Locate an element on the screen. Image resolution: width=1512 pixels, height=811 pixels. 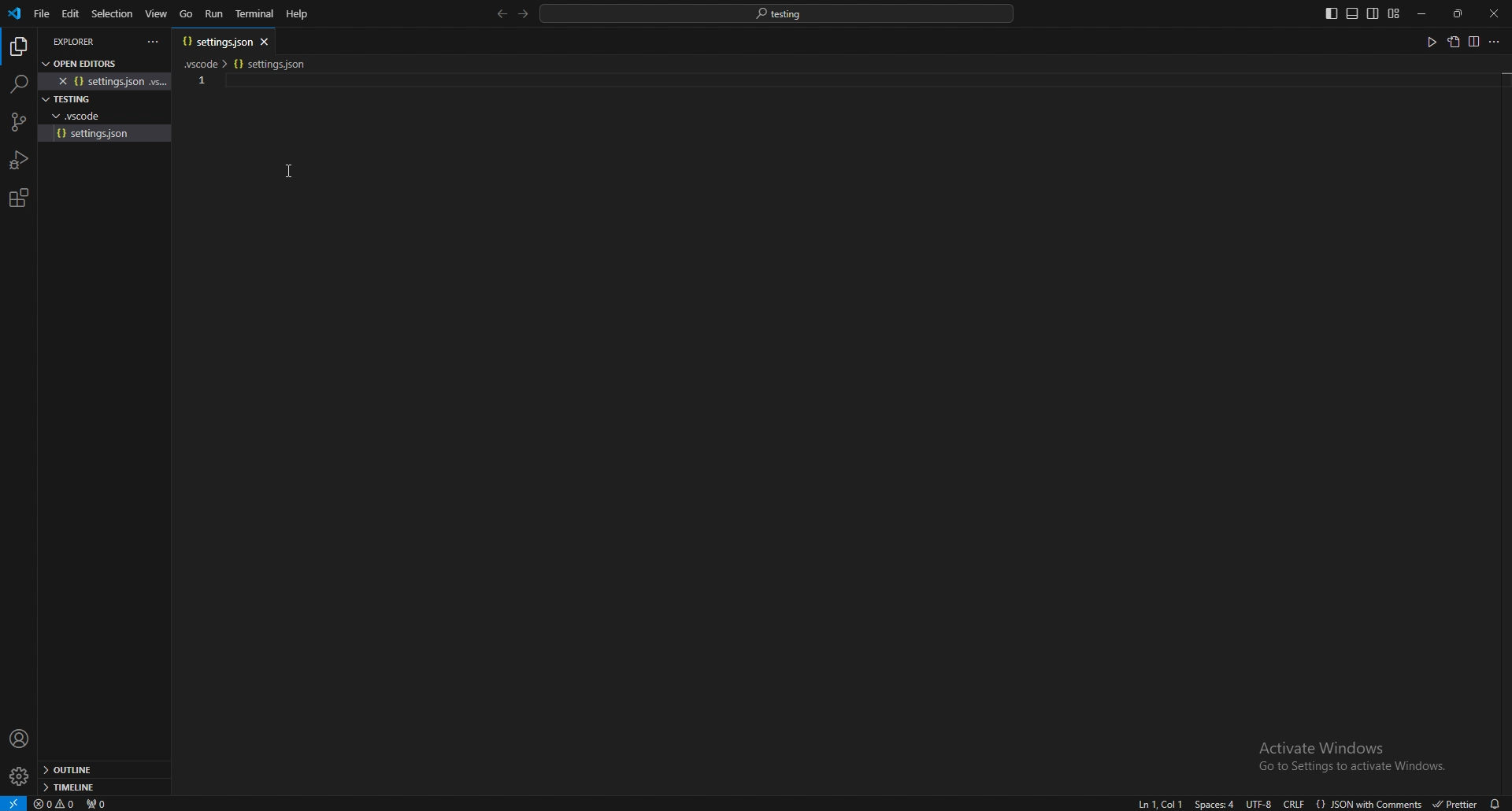
open editors is located at coordinates (84, 61).